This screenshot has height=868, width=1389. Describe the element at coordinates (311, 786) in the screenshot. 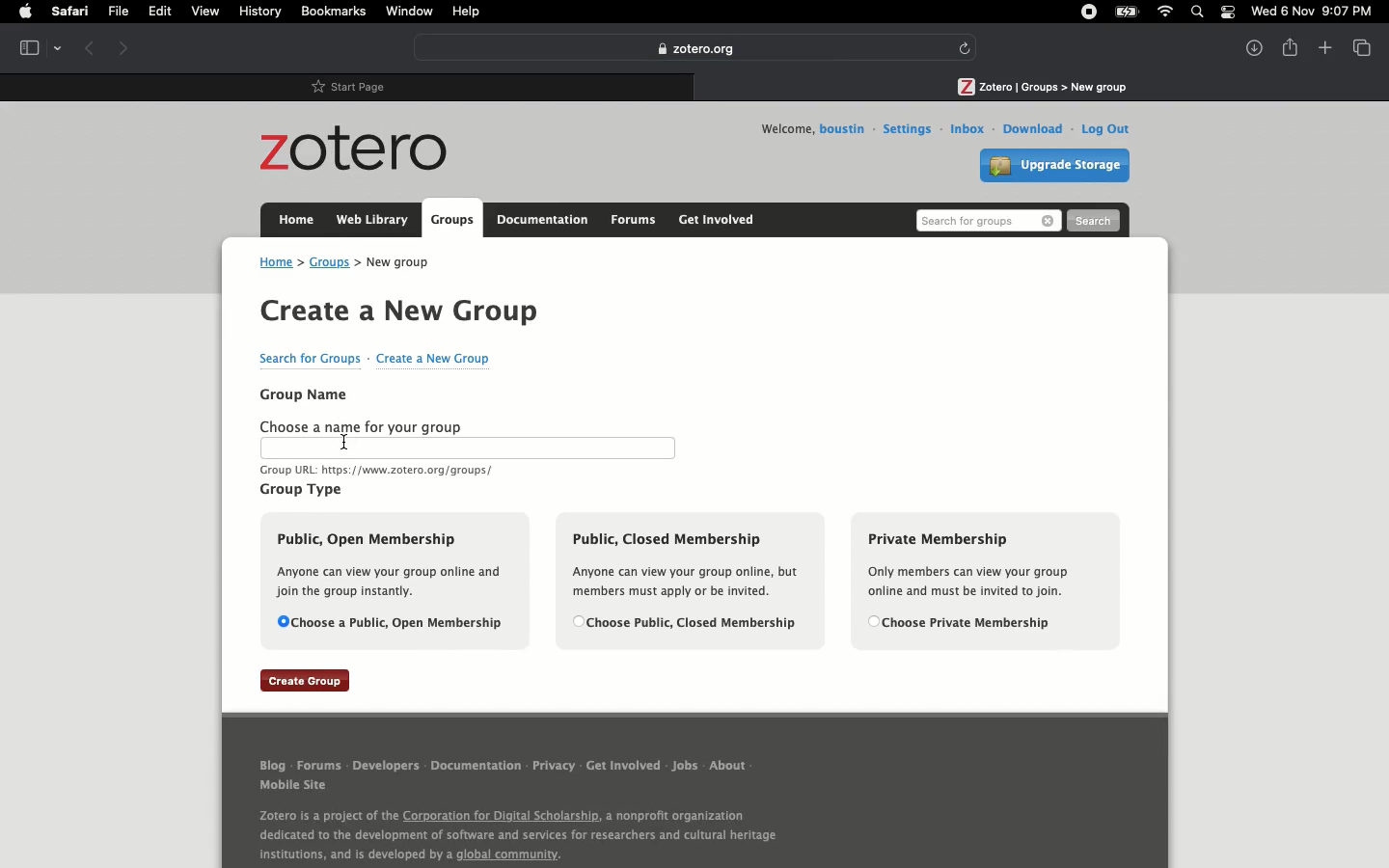

I see `Mobile site` at that location.